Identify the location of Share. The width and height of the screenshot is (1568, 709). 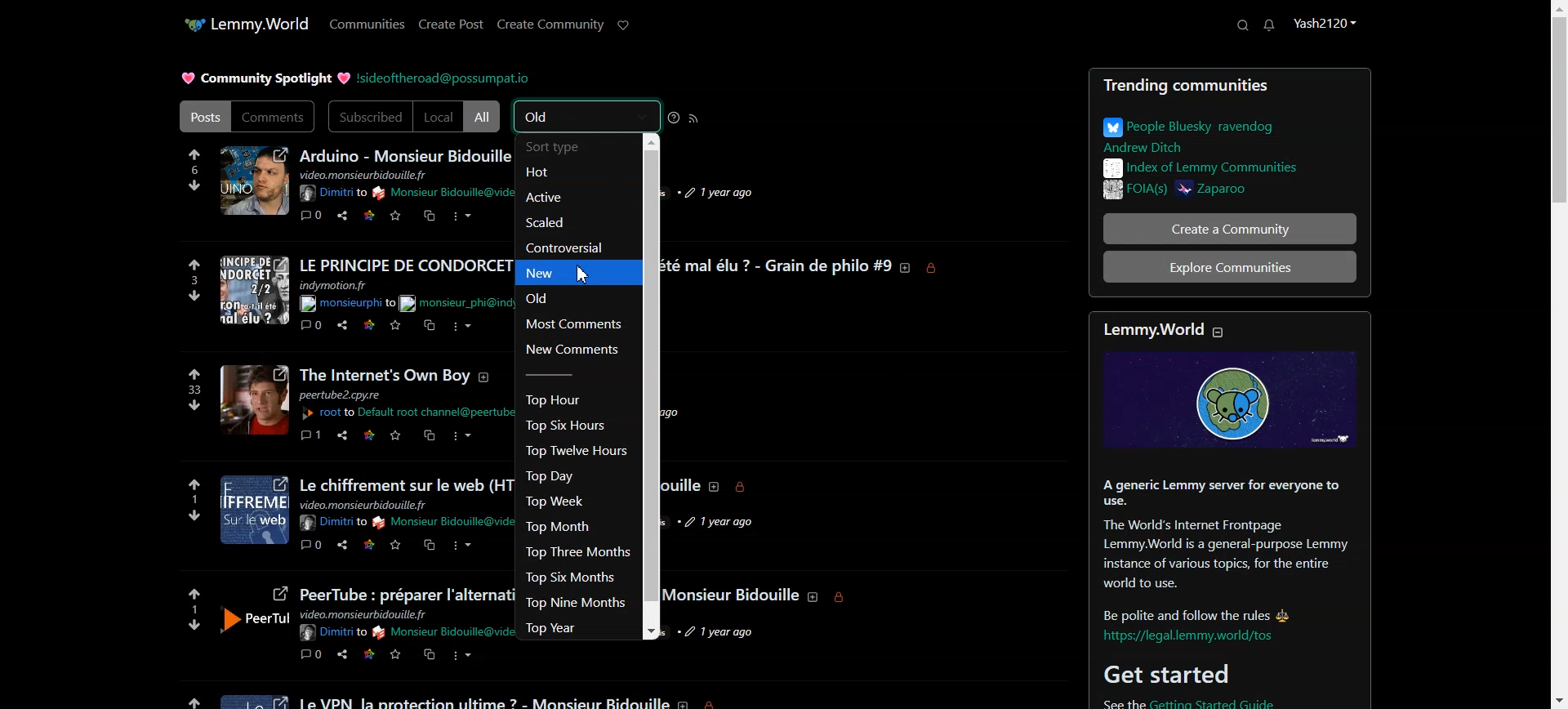
(341, 216).